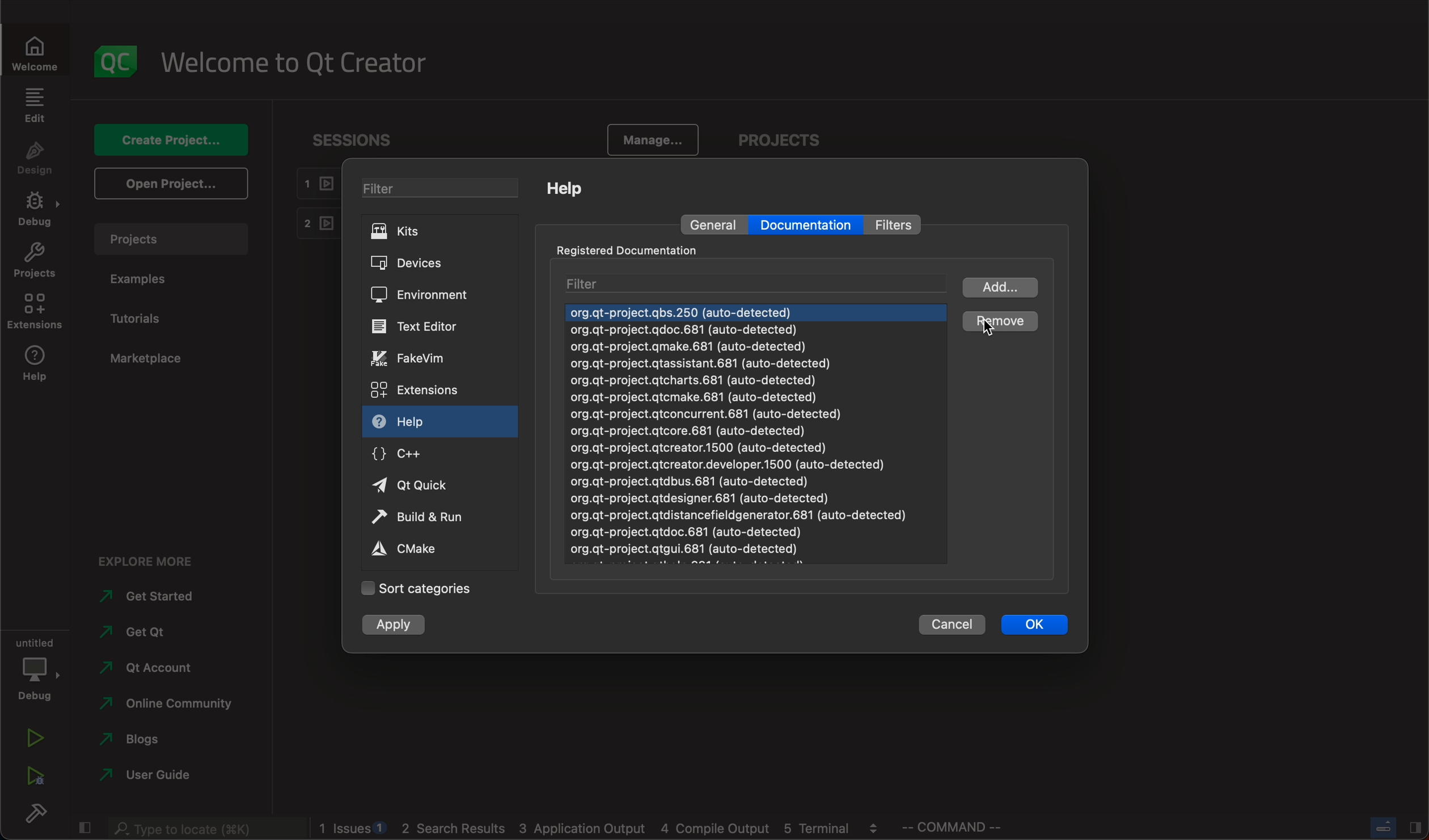 This screenshot has width=1429, height=840. I want to click on run debug, so click(34, 776).